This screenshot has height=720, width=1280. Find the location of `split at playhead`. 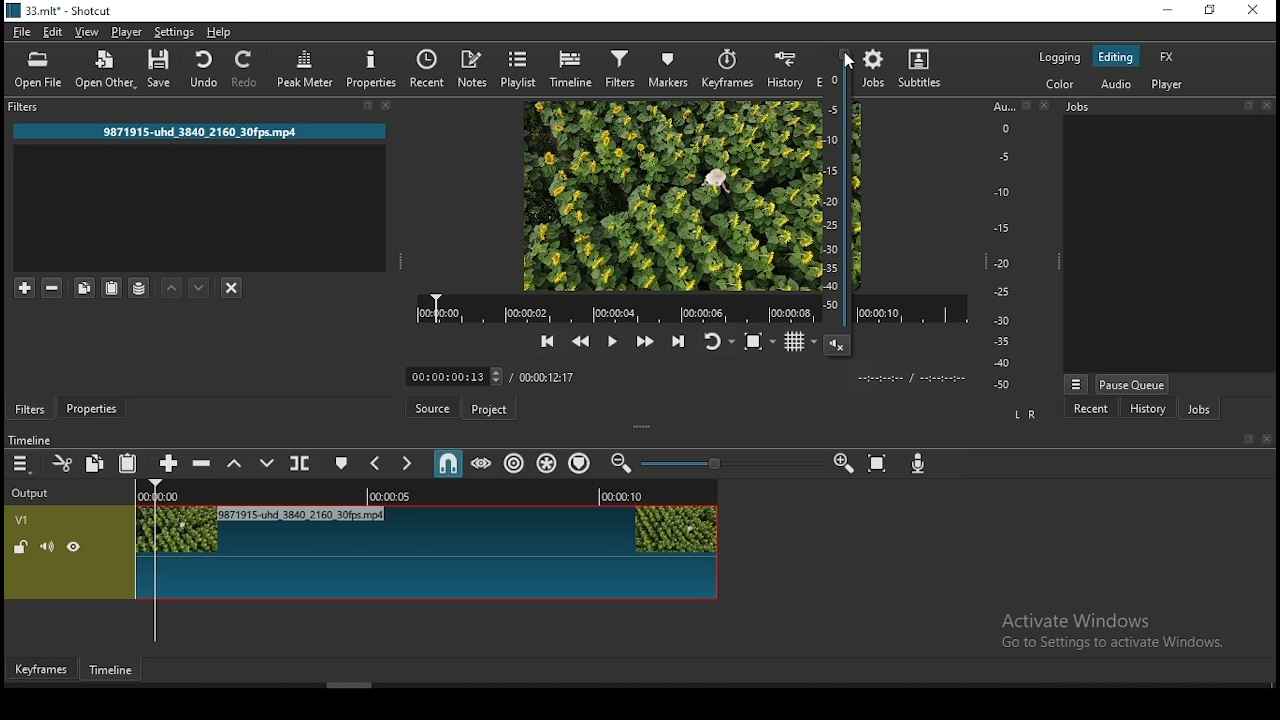

split at playhead is located at coordinates (302, 463).